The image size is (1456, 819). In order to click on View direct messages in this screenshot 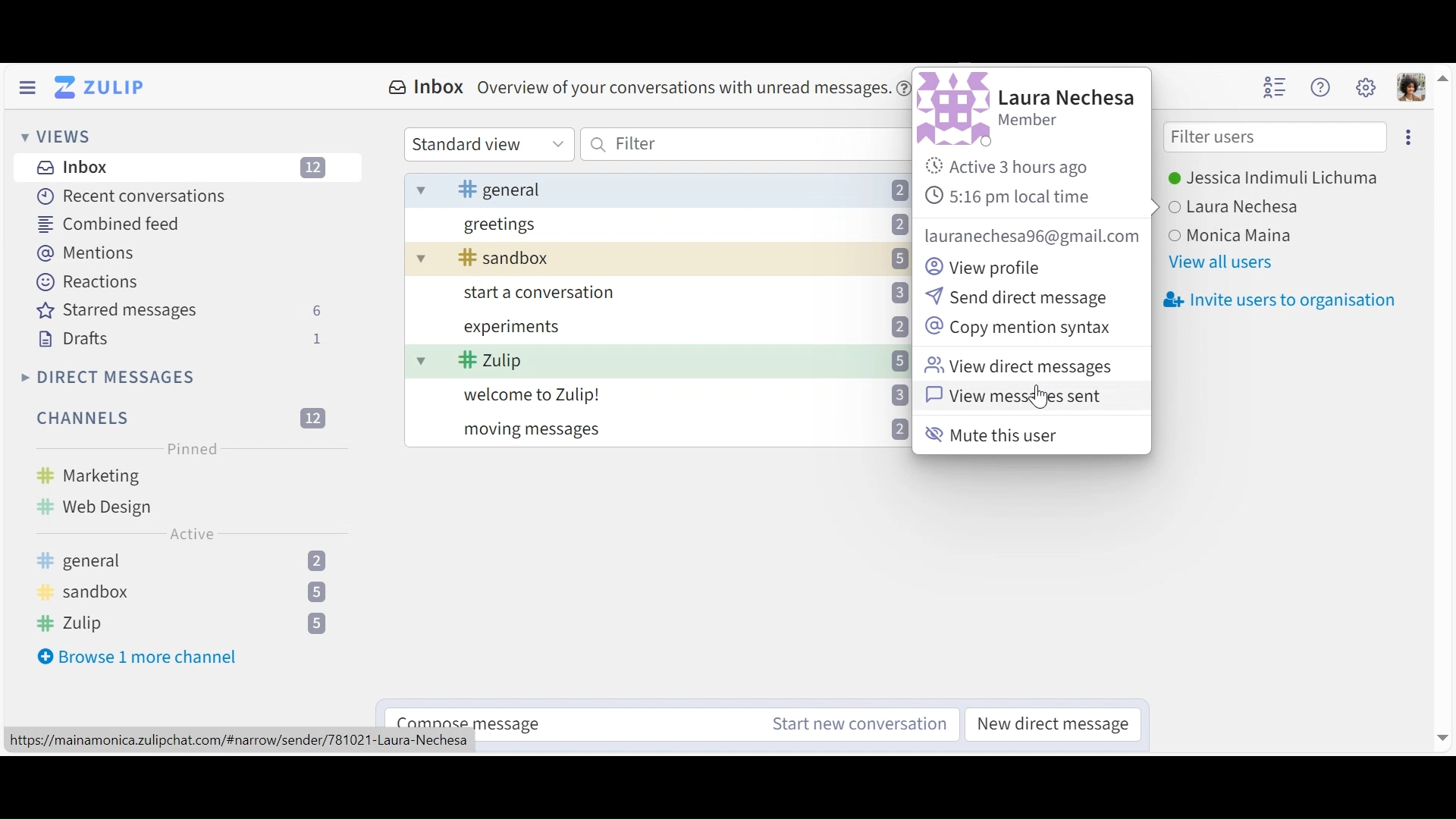, I will do `click(1018, 365)`.